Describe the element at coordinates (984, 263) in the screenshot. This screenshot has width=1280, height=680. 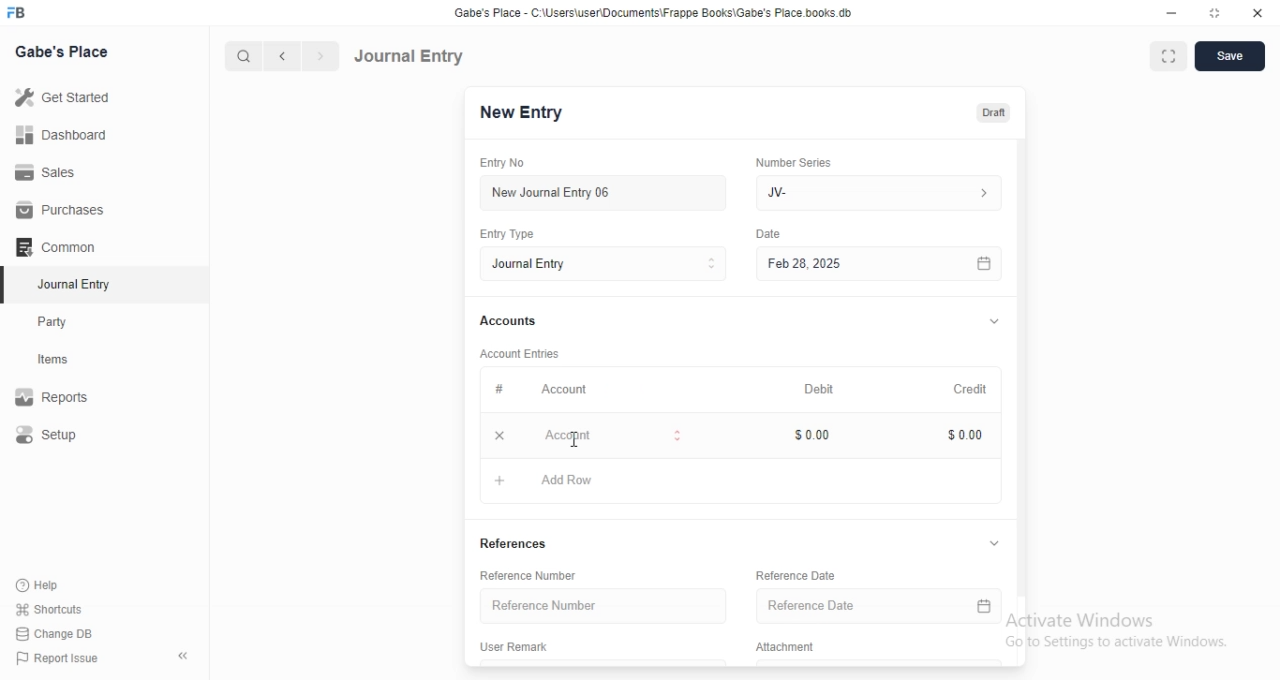
I see `calender` at that location.